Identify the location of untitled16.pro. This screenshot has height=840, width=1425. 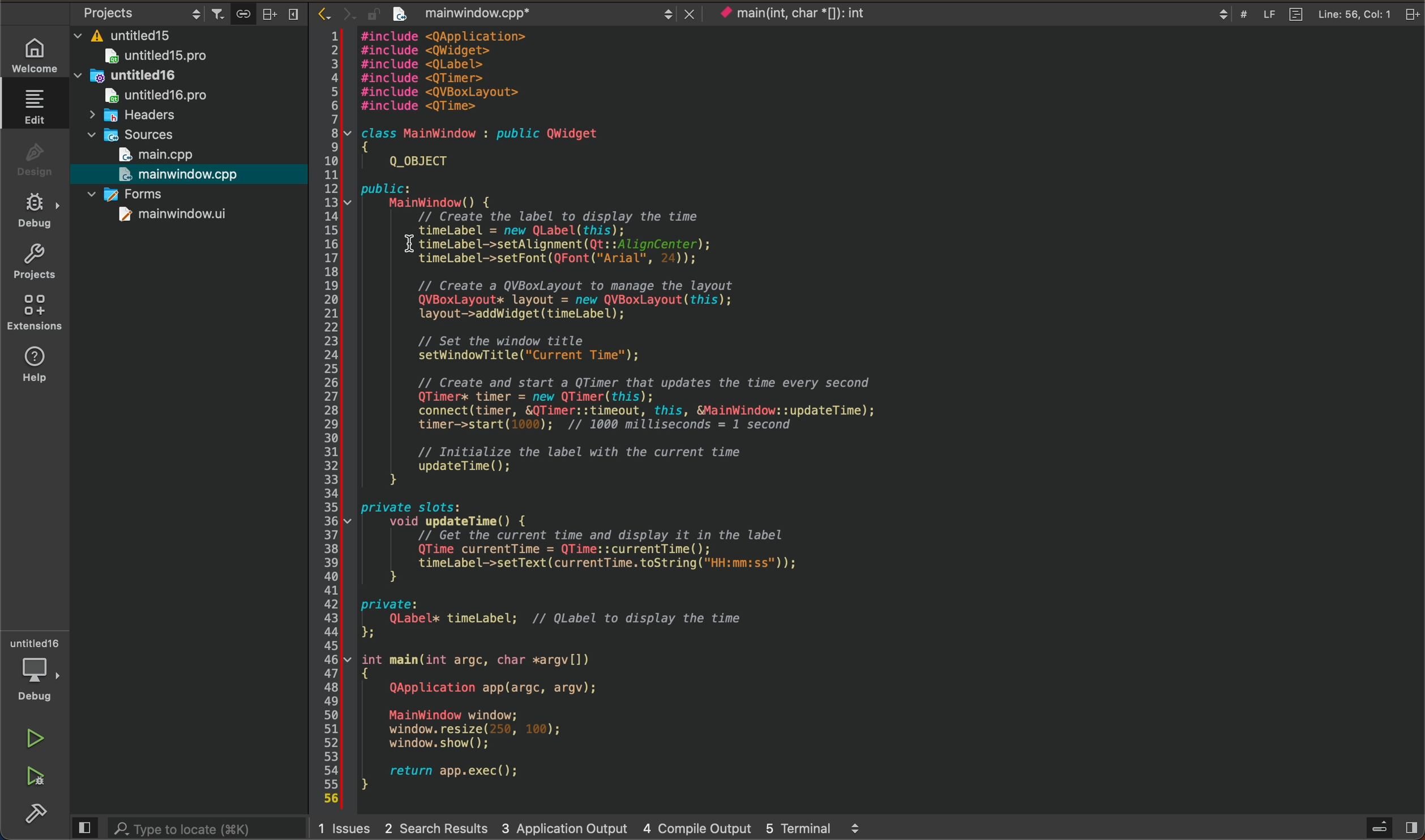
(146, 97).